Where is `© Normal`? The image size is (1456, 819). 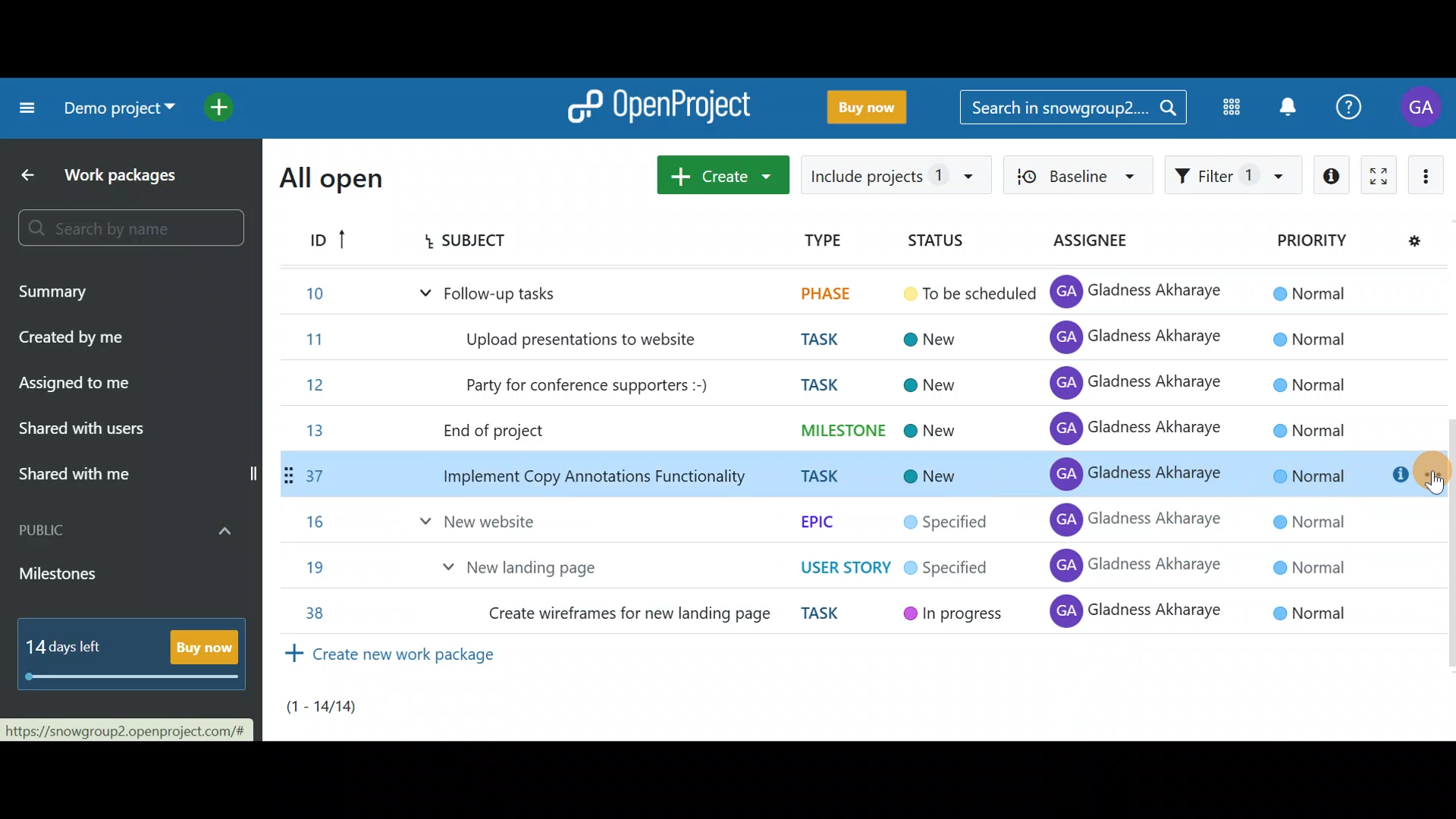
© Normal is located at coordinates (1309, 523).